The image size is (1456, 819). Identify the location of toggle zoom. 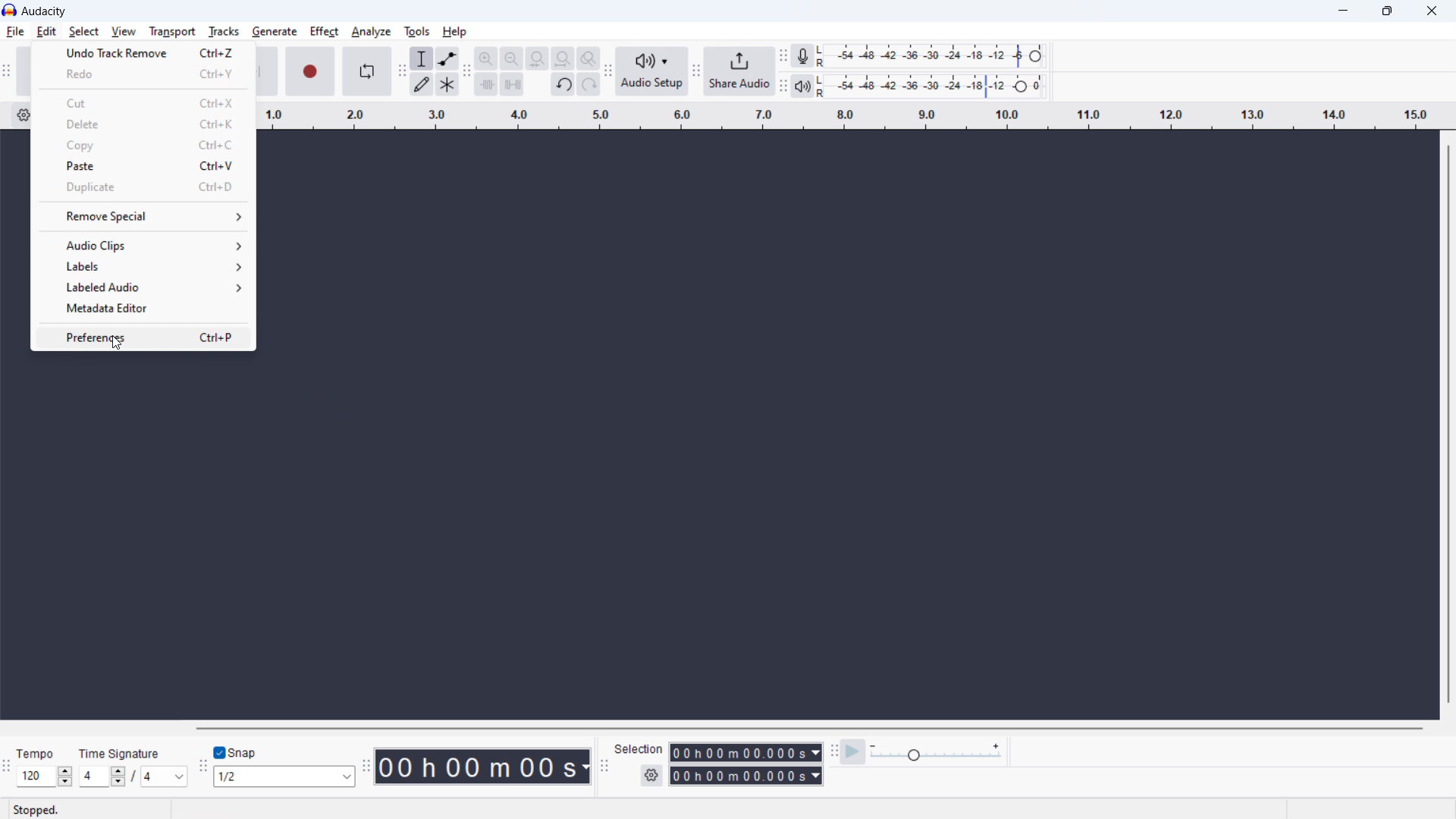
(588, 58).